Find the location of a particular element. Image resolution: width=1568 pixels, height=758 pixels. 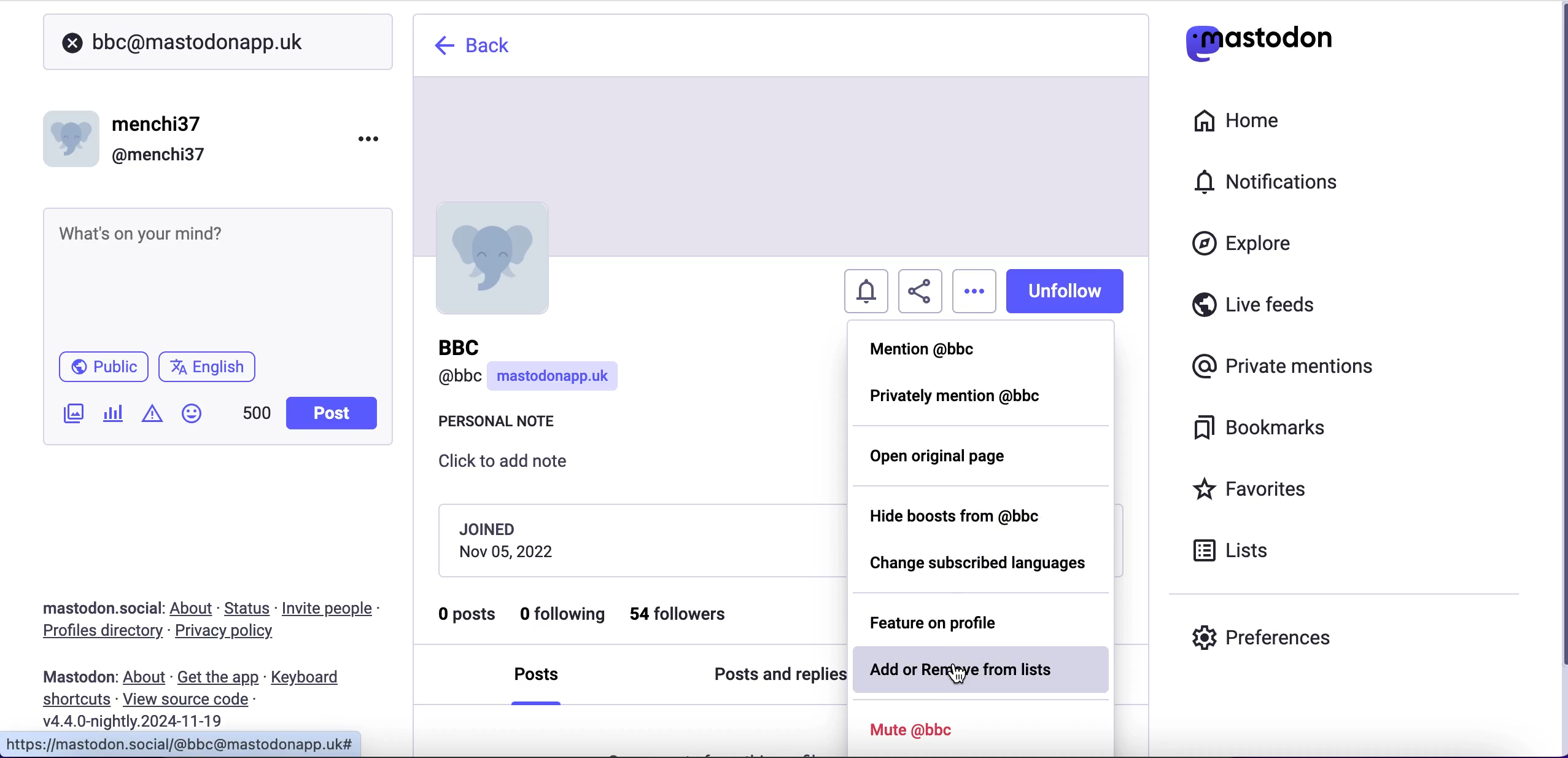

user search is located at coordinates (217, 42).